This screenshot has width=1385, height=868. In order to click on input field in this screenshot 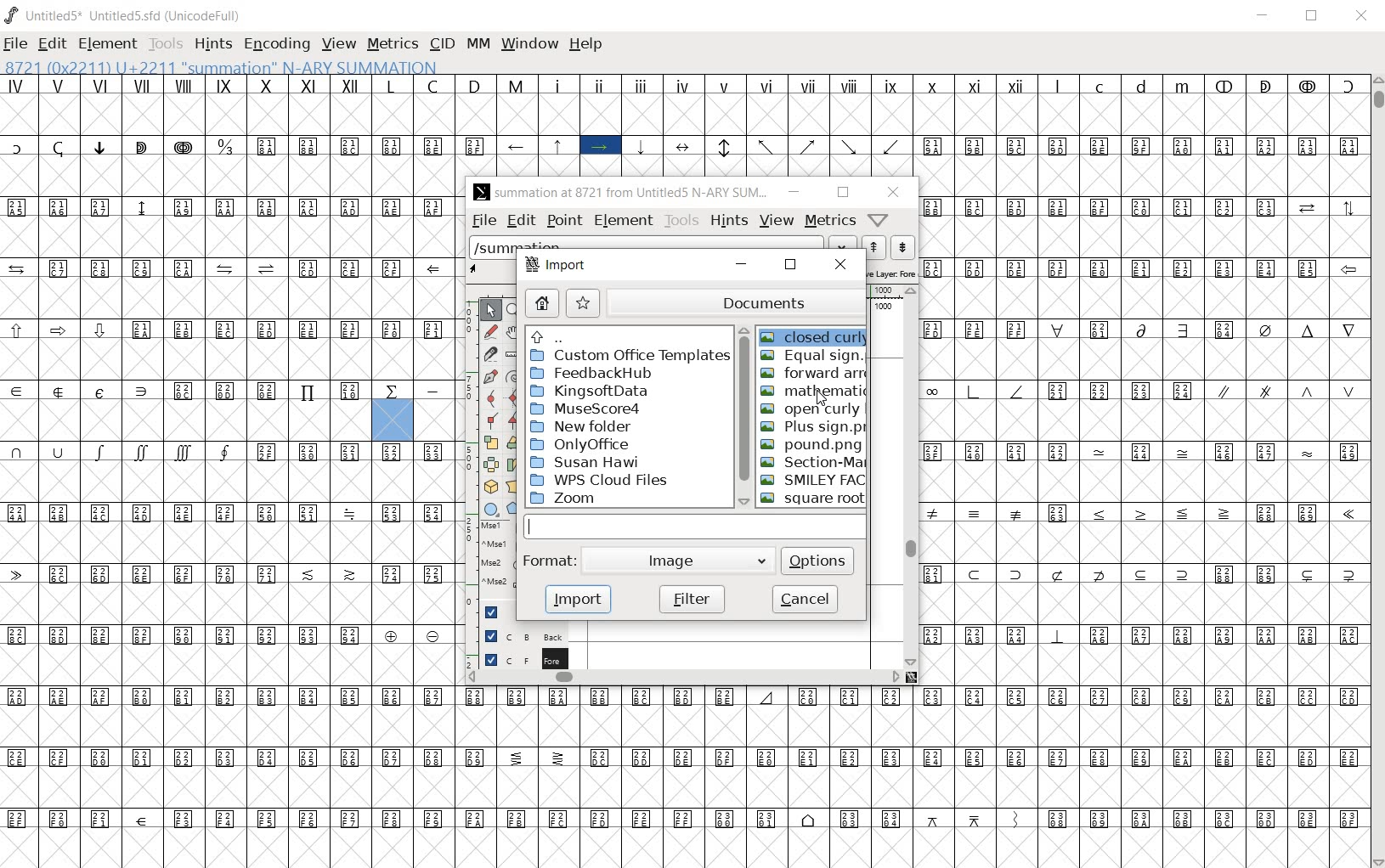, I will do `click(696, 527)`.